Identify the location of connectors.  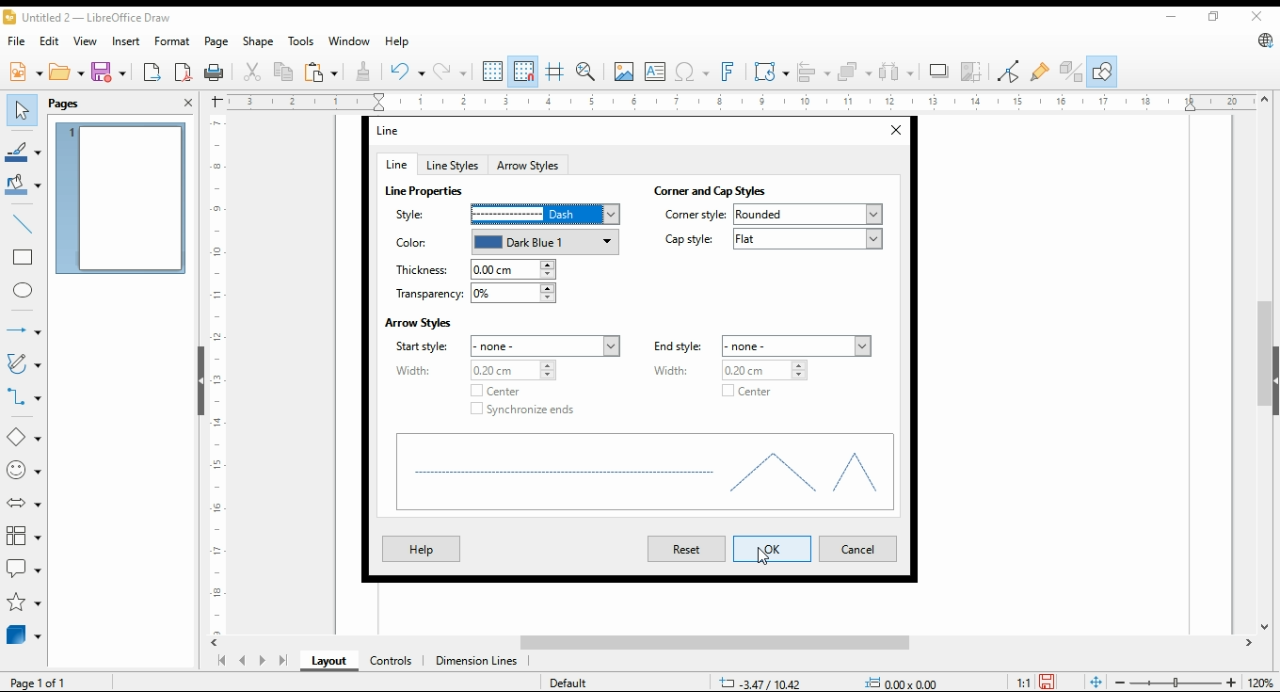
(24, 394).